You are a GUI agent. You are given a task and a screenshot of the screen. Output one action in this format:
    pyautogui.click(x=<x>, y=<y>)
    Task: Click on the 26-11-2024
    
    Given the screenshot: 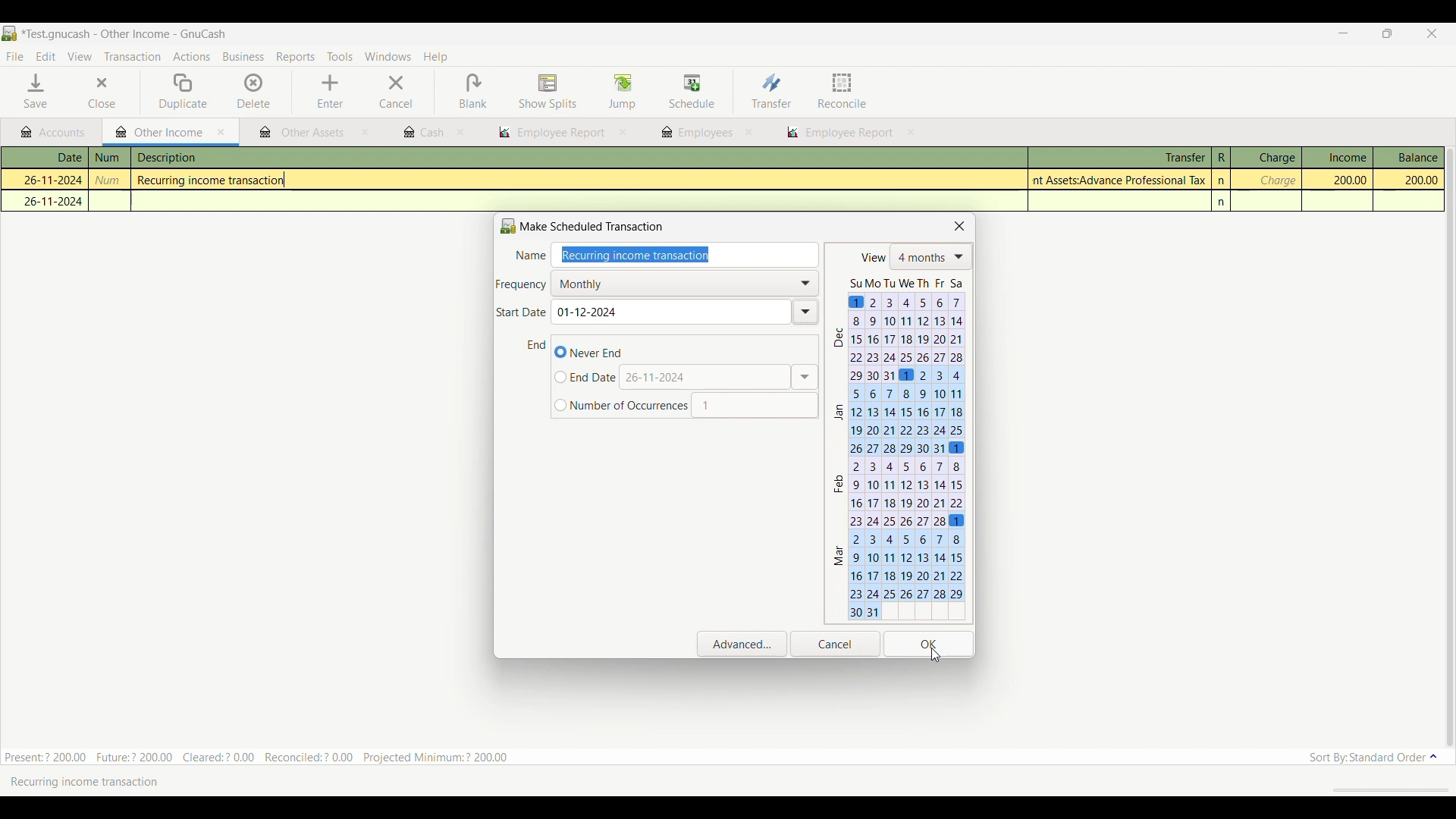 What is the action you would take?
    pyautogui.click(x=46, y=178)
    